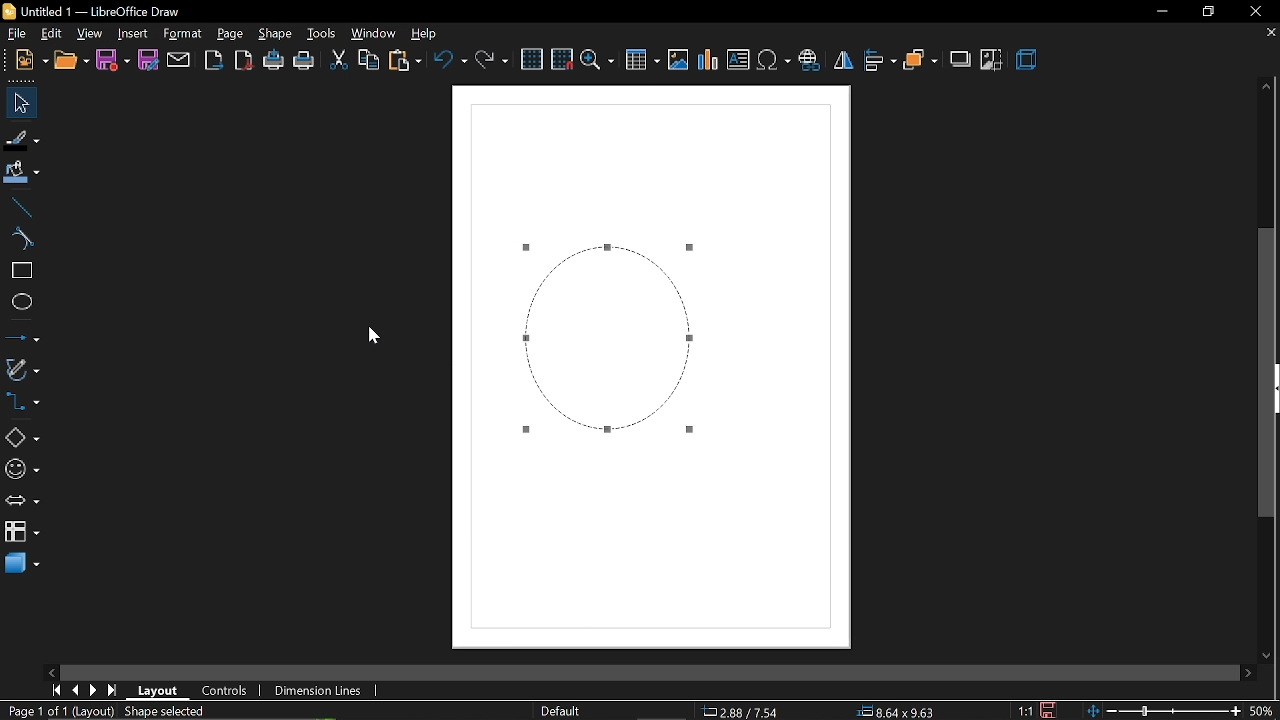  I want to click on insert chart, so click(706, 60).